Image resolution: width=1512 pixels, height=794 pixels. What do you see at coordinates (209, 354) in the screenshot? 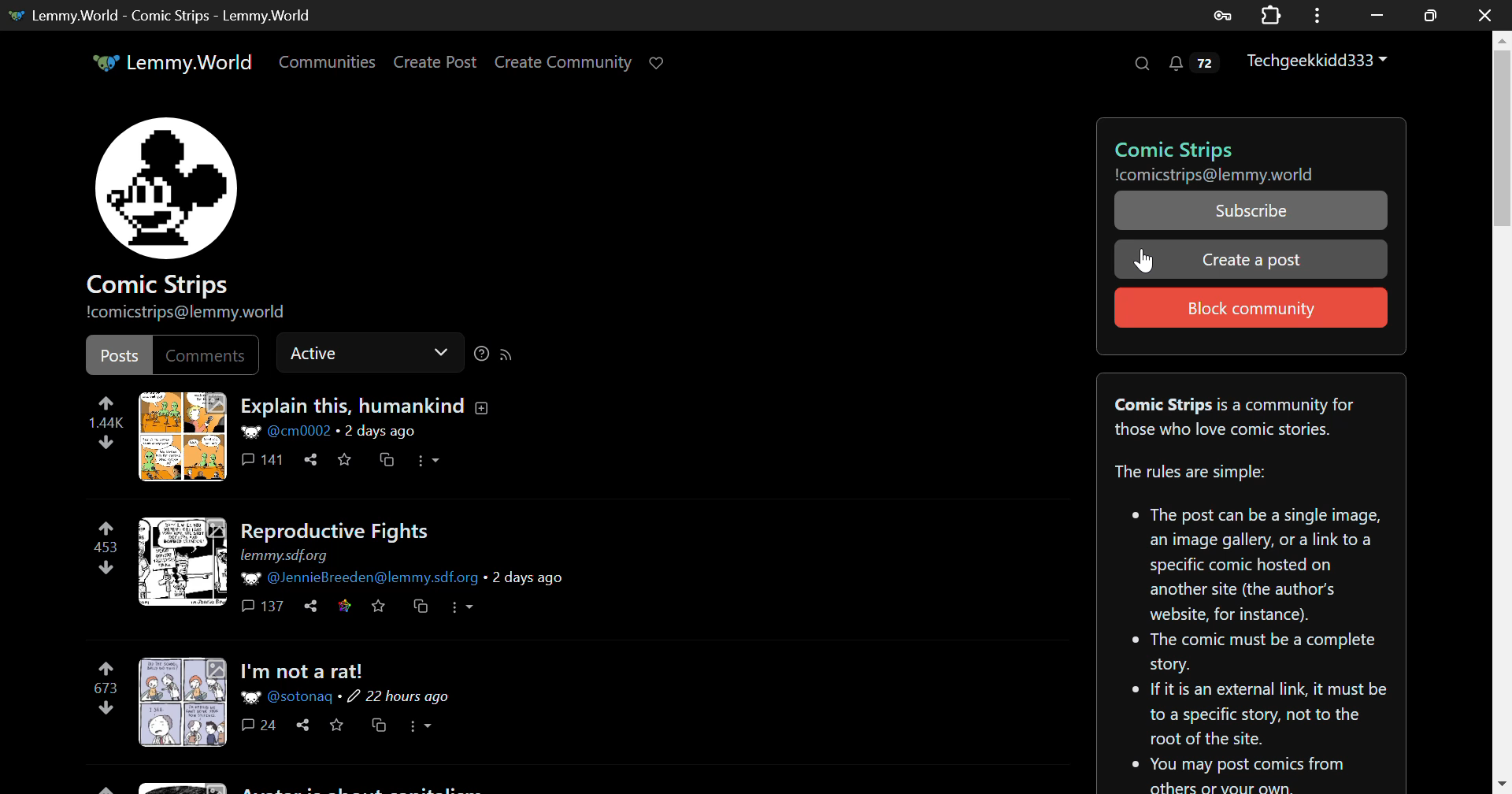
I see `Comments Filter Unselected` at bounding box center [209, 354].